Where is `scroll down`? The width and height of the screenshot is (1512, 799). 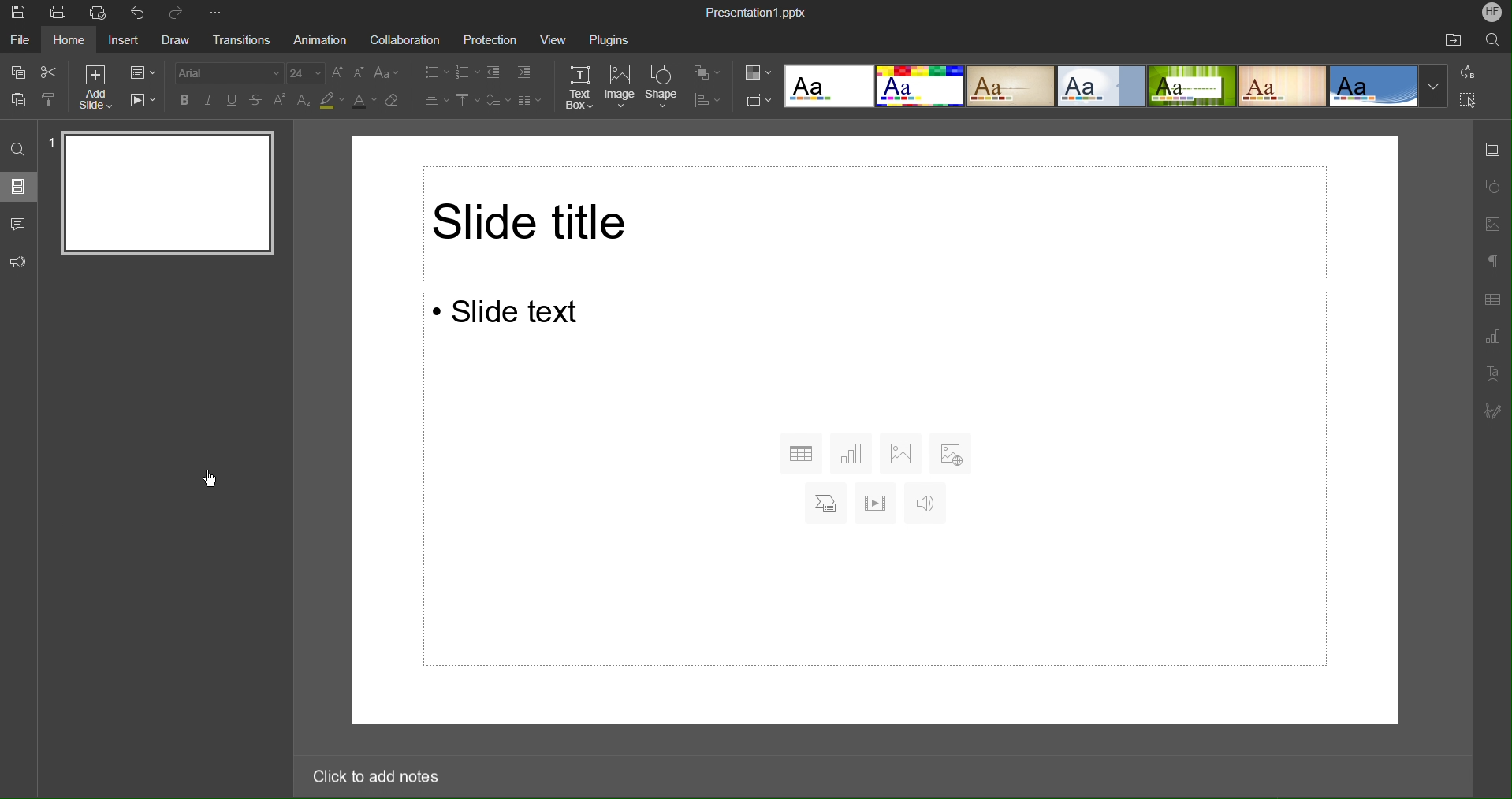
scroll down is located at coordinates (1462, 732).